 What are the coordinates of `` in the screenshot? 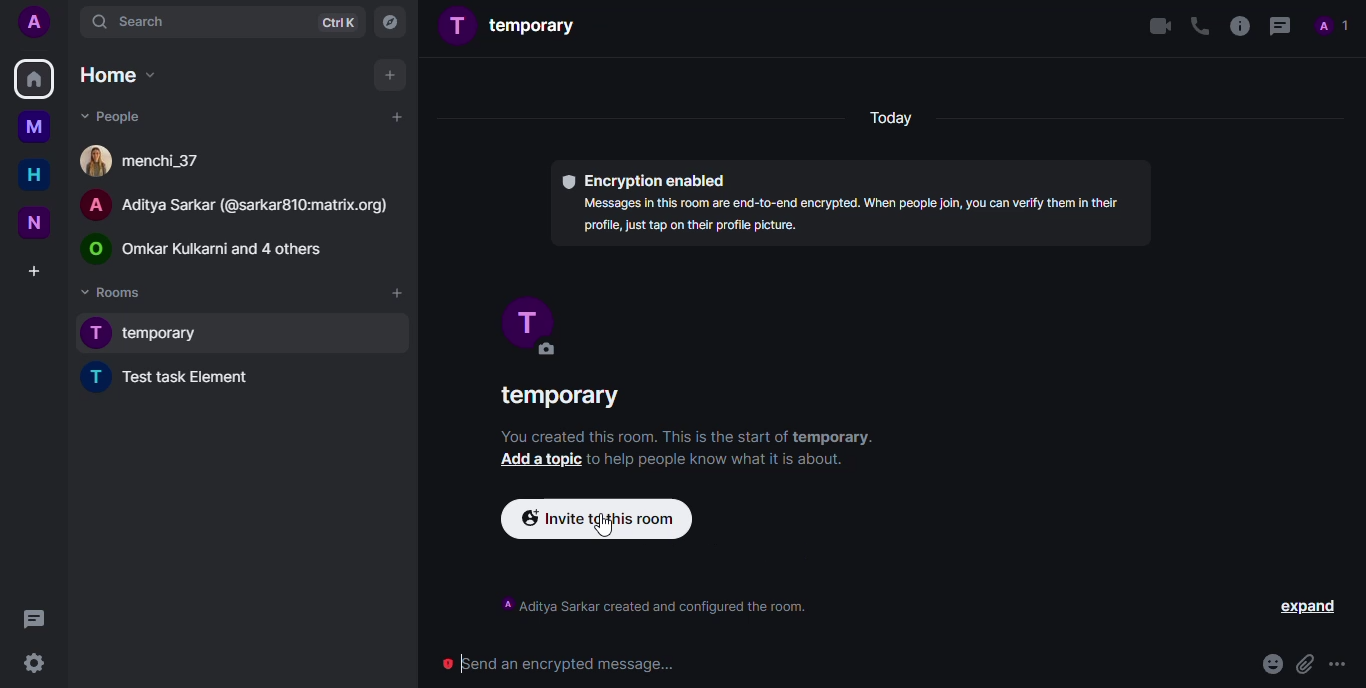 It's located at (1351, 105).